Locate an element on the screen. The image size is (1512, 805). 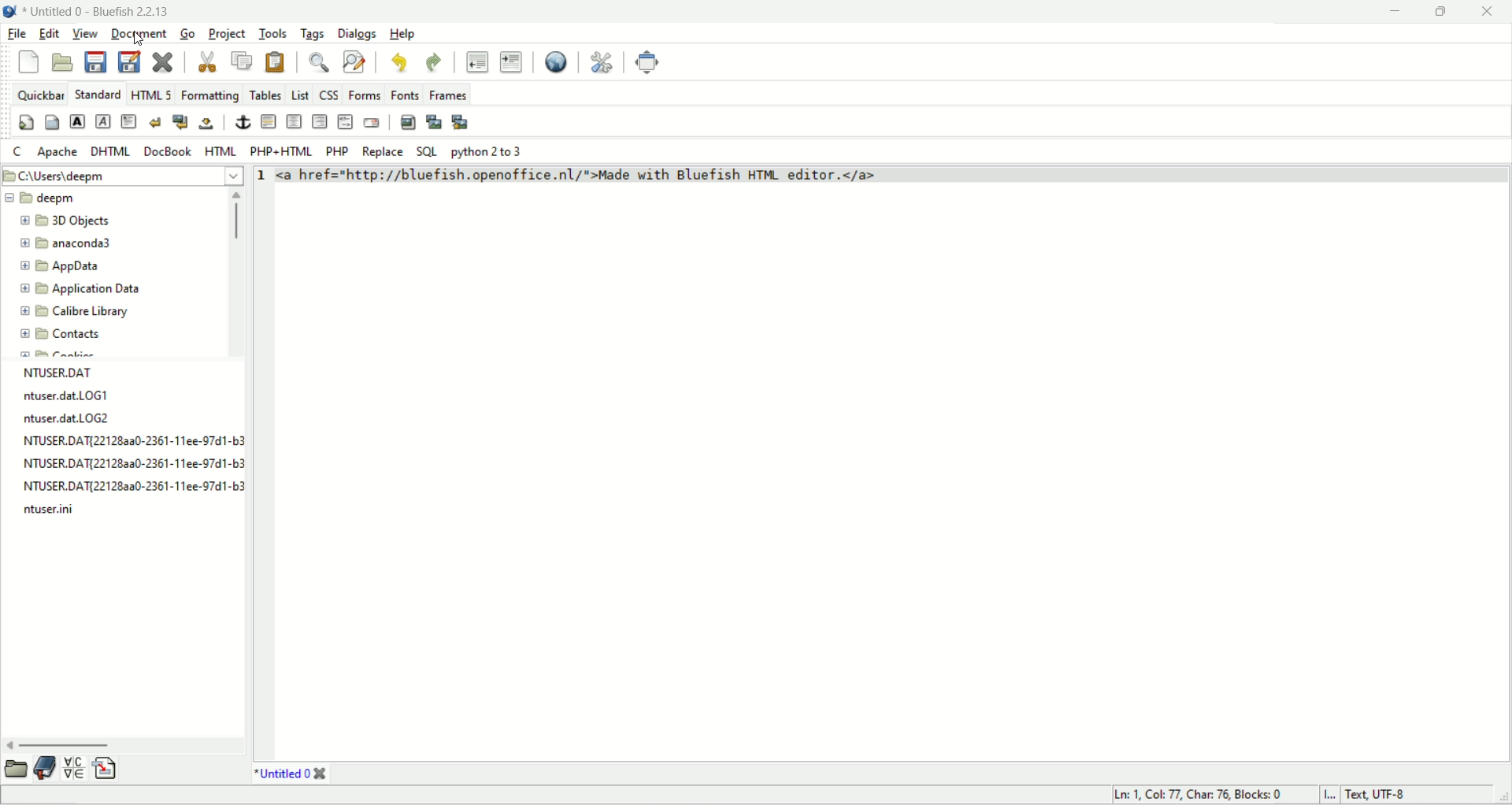
save file as is located at coordinates (129, 61).